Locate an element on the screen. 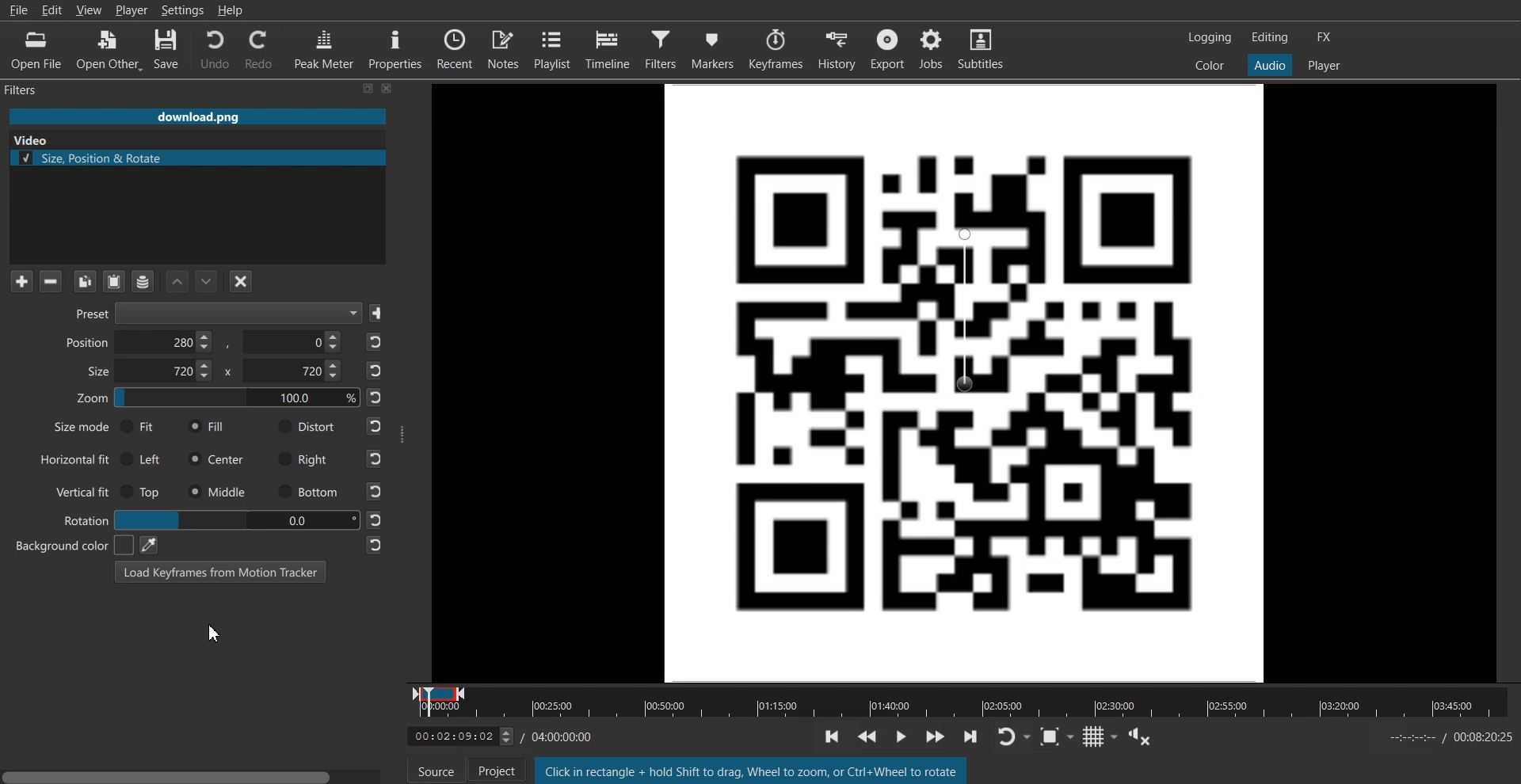  Deselect the filter is located at coordinates (242, 281).